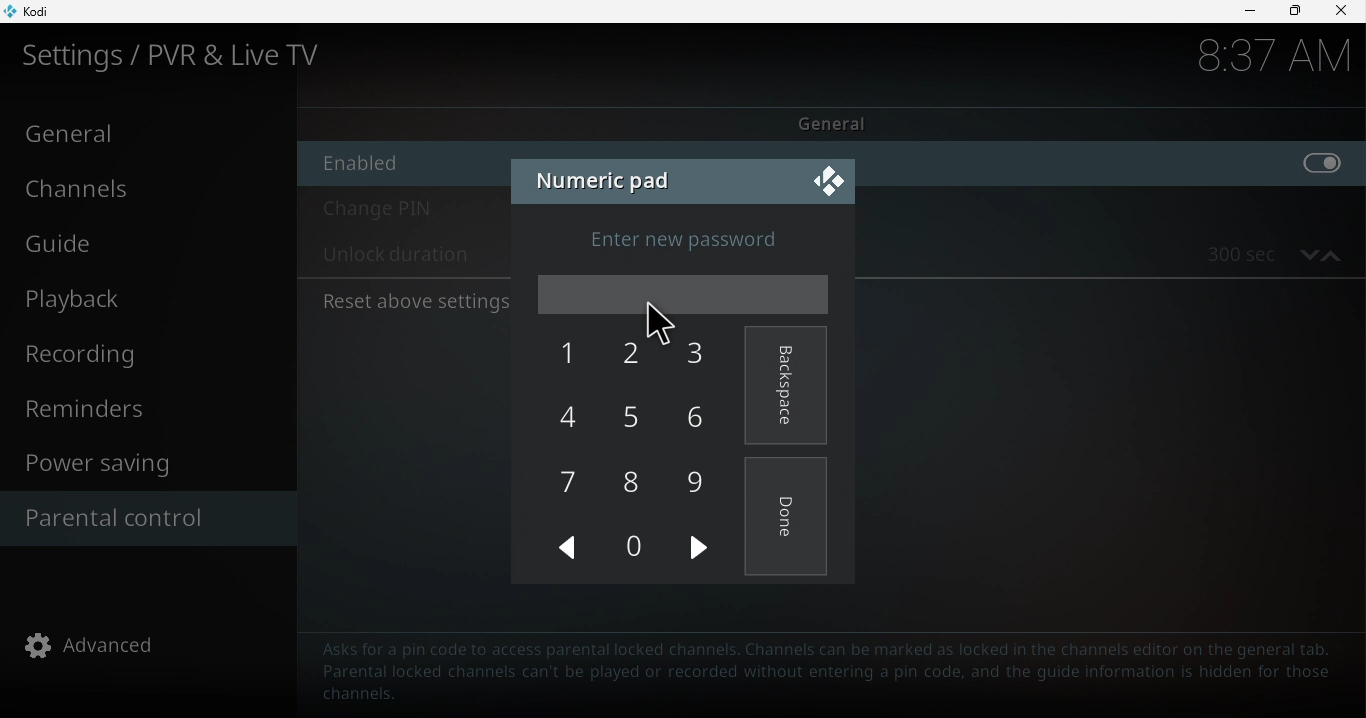 The height and width of the screenshot is (718, 1366). I want to click on 4, so click(574, 421).